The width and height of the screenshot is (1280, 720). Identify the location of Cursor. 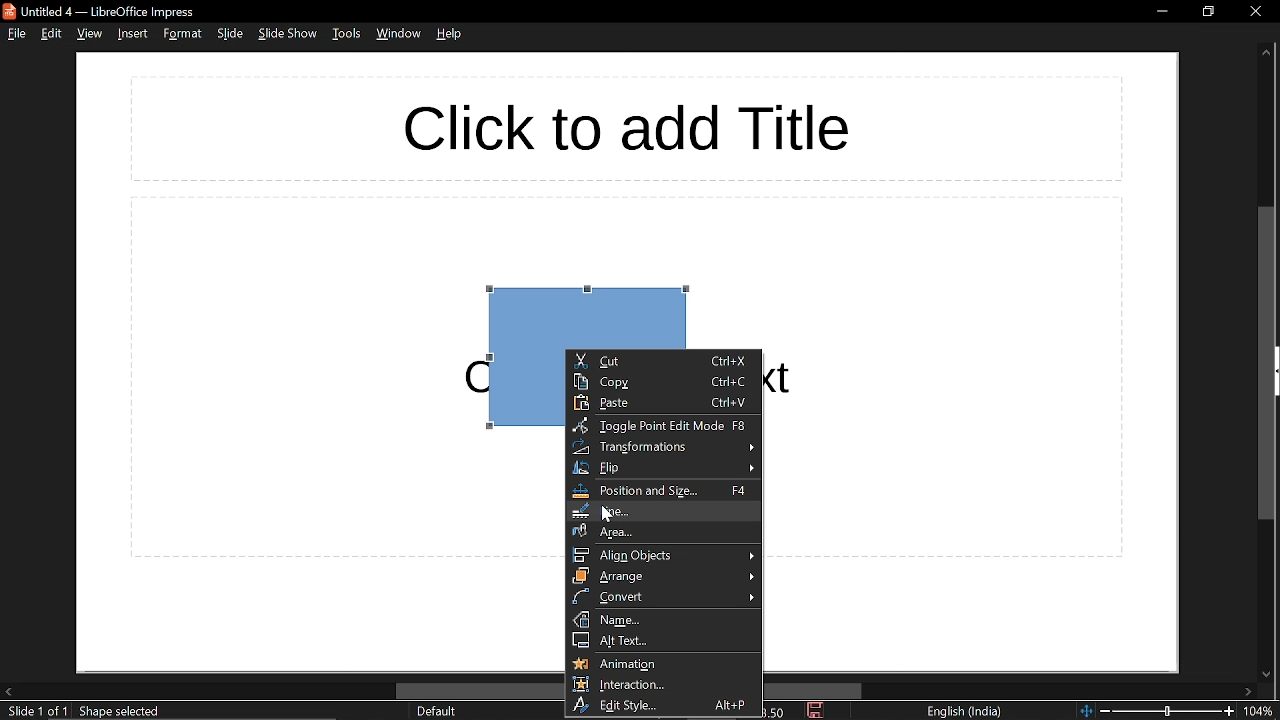
(605, 514).